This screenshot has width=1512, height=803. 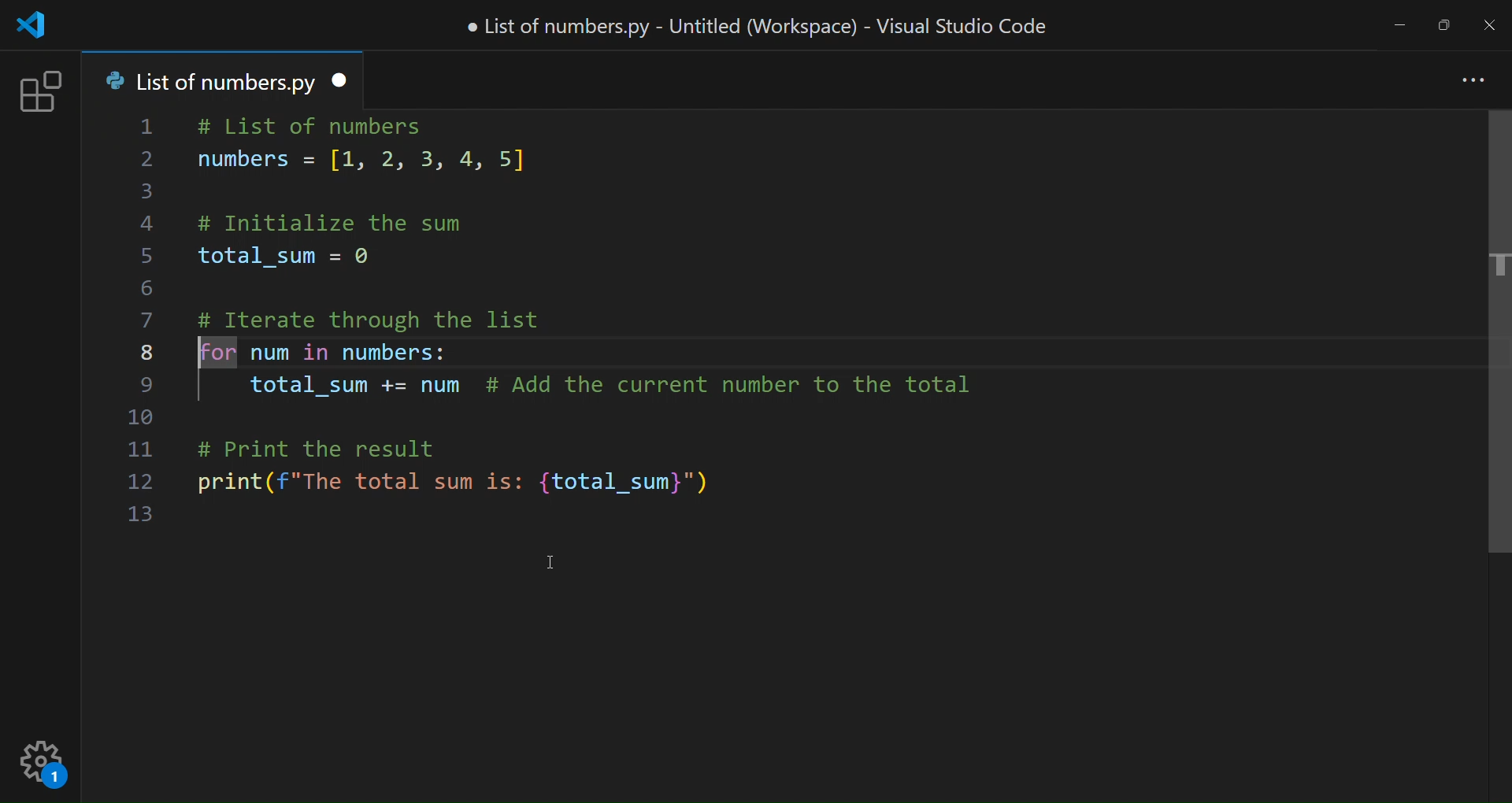 I want to click on close tab, so click(x=343, y=80).